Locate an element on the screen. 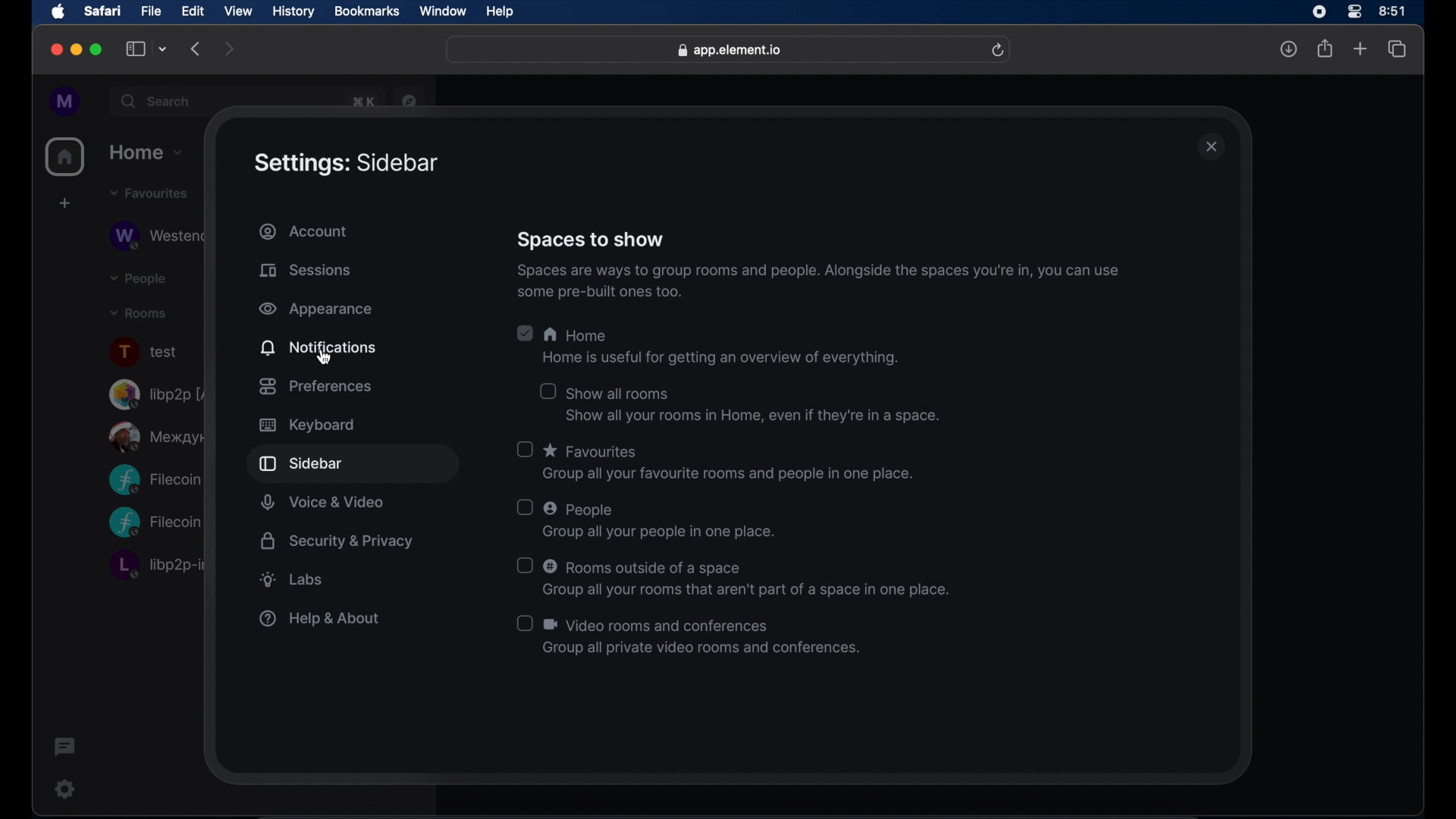 The image size is (1456, 819). view is located at coordinates (238, 11).